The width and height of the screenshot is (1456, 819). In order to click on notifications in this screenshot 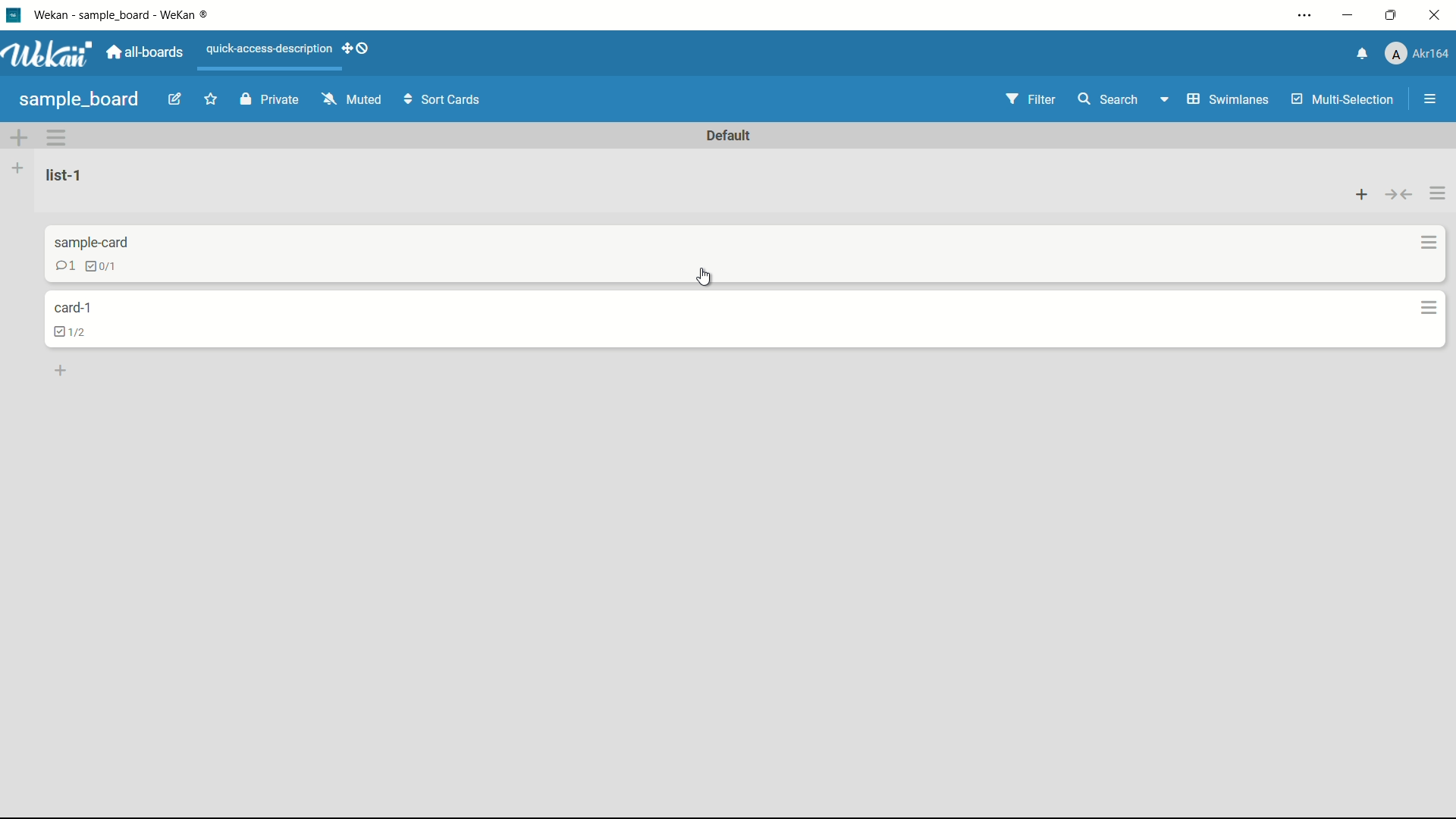, I will do `click(1360, 55)`.